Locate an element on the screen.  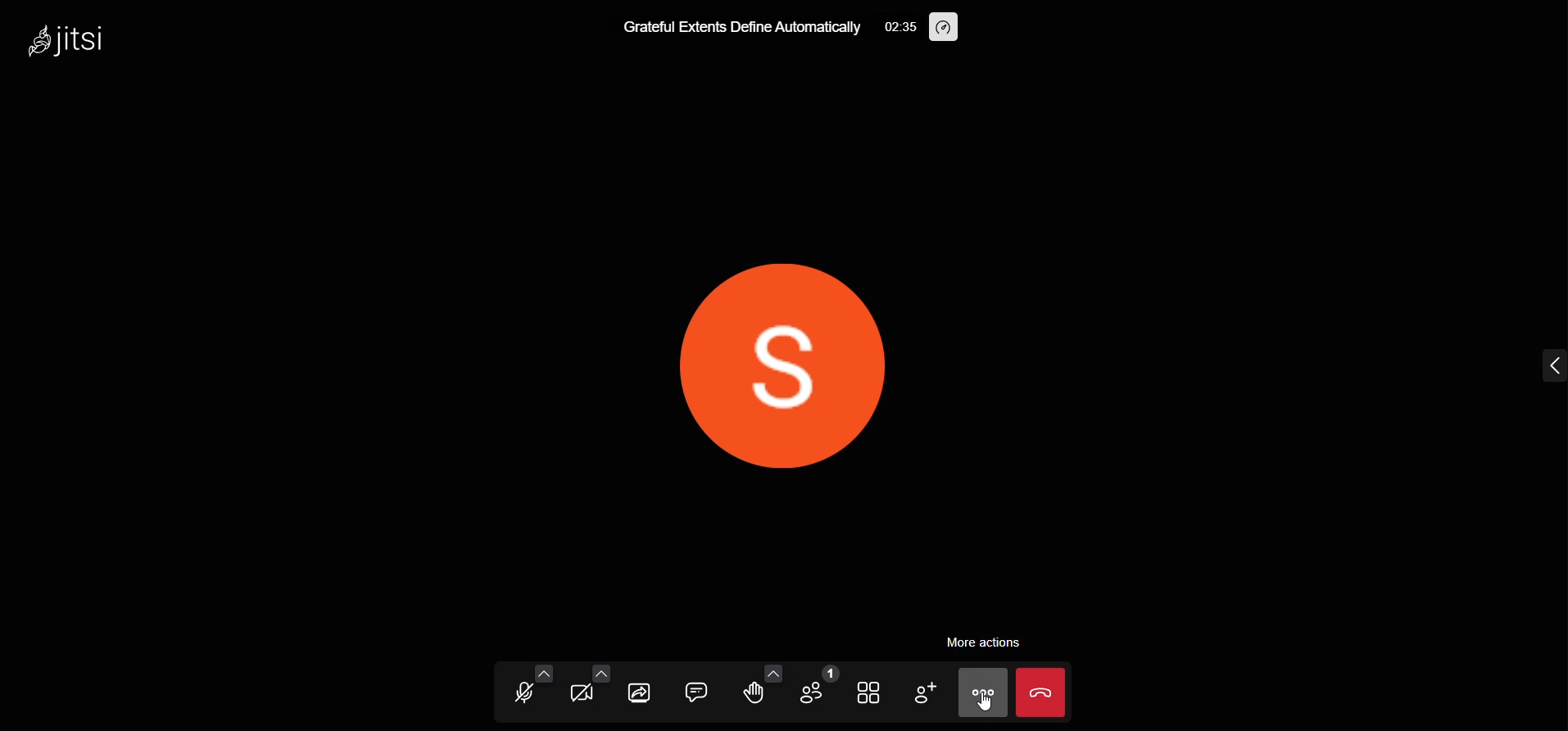
leave the meeting is located at coordinates (1040, 691).